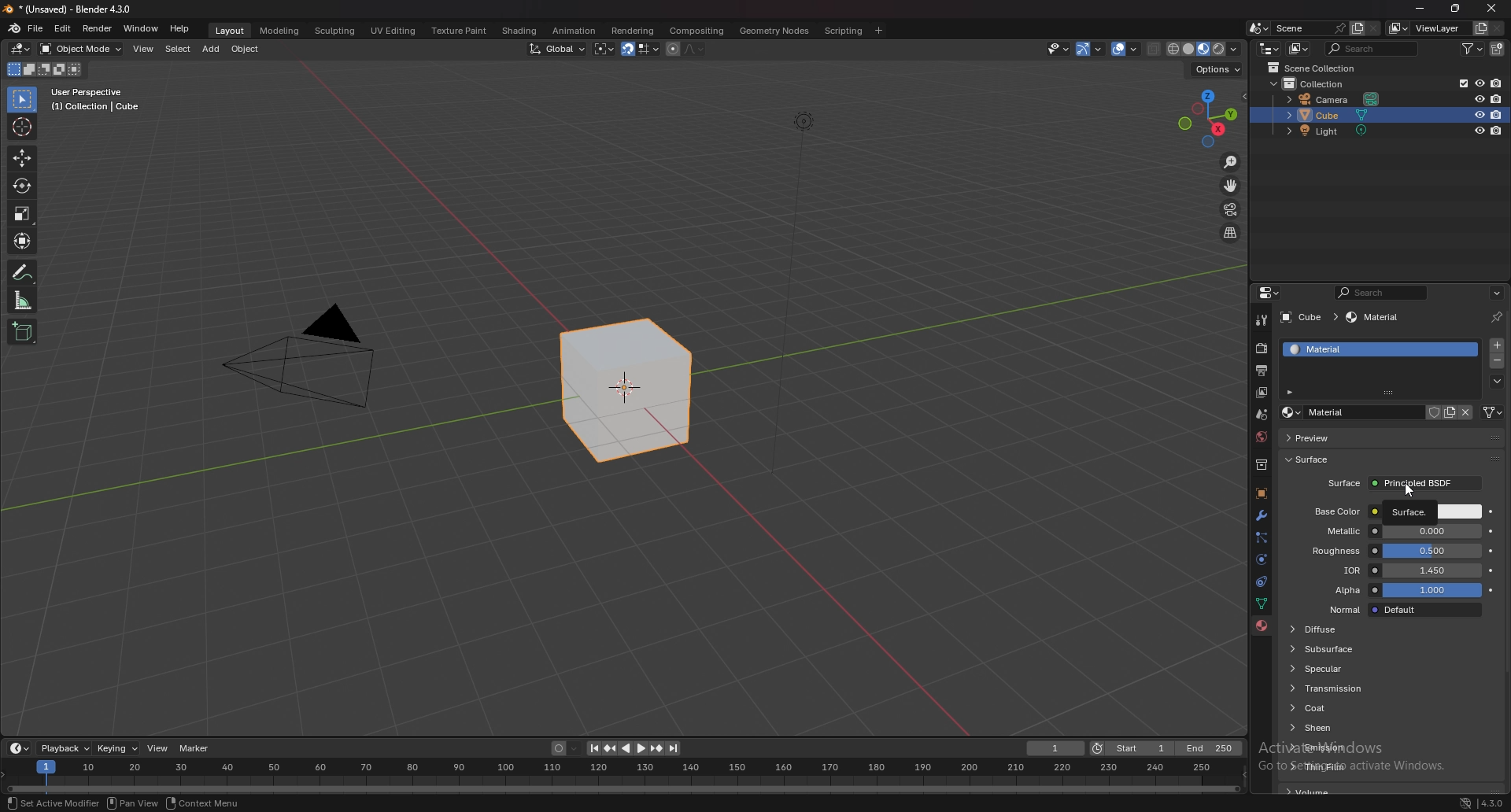  What do you see at coordinates (42, 72) in the screenshot?
I see `mode` at bounding box center [42, 72].